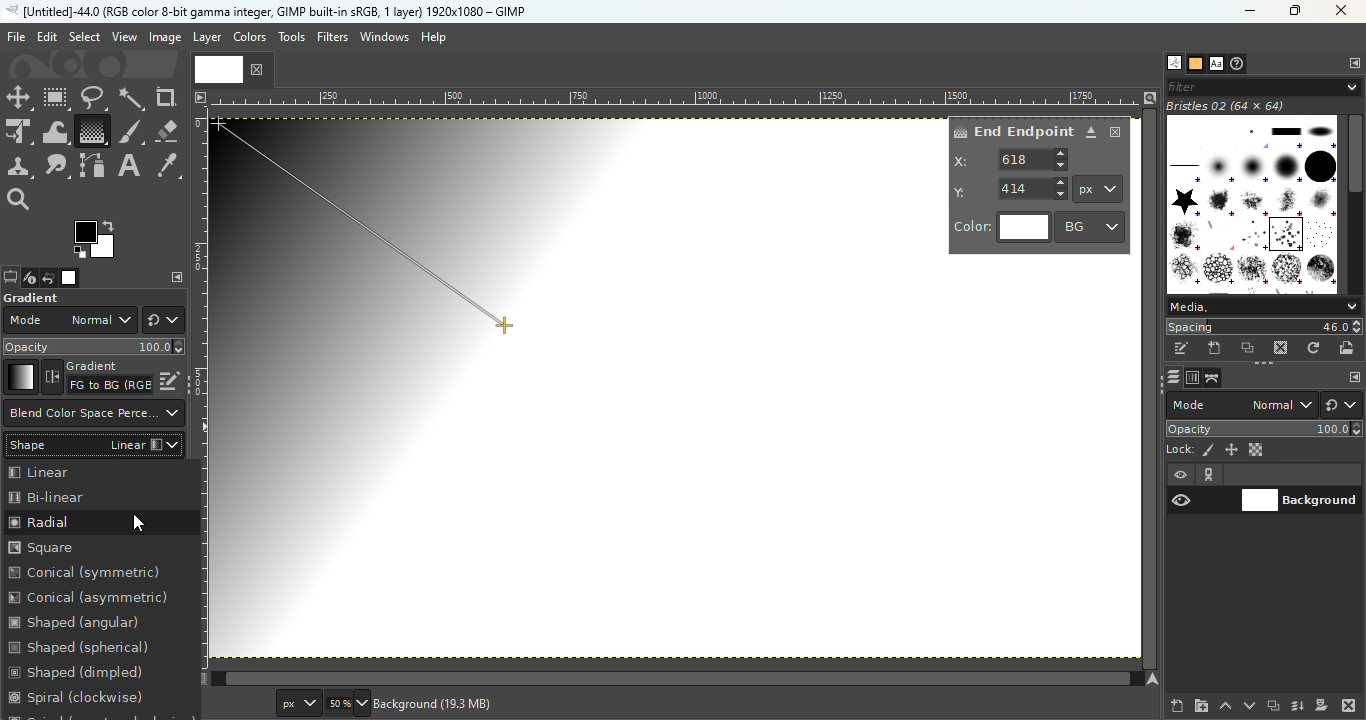 The width and height of the screenshot is (1366, 720). What do you see at coordinates (75, 622) in the screenshot?
I see `Shaped (angular)` at bounding box center [75, 622].